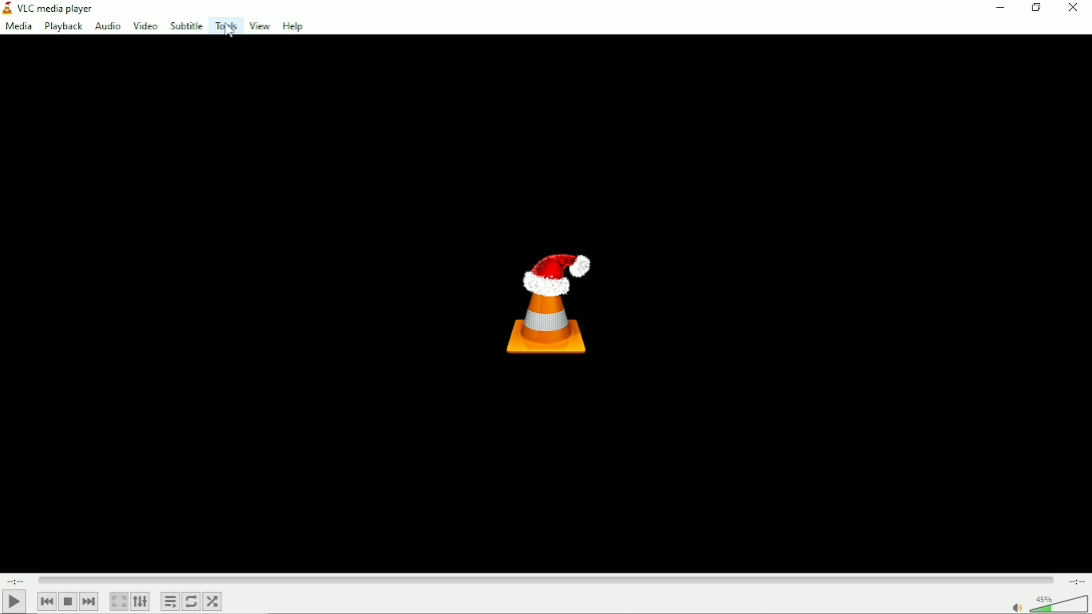  What do you see at coordinates (259, 26) in the screenshot?
I see `View` at bounding box center [259, 26].